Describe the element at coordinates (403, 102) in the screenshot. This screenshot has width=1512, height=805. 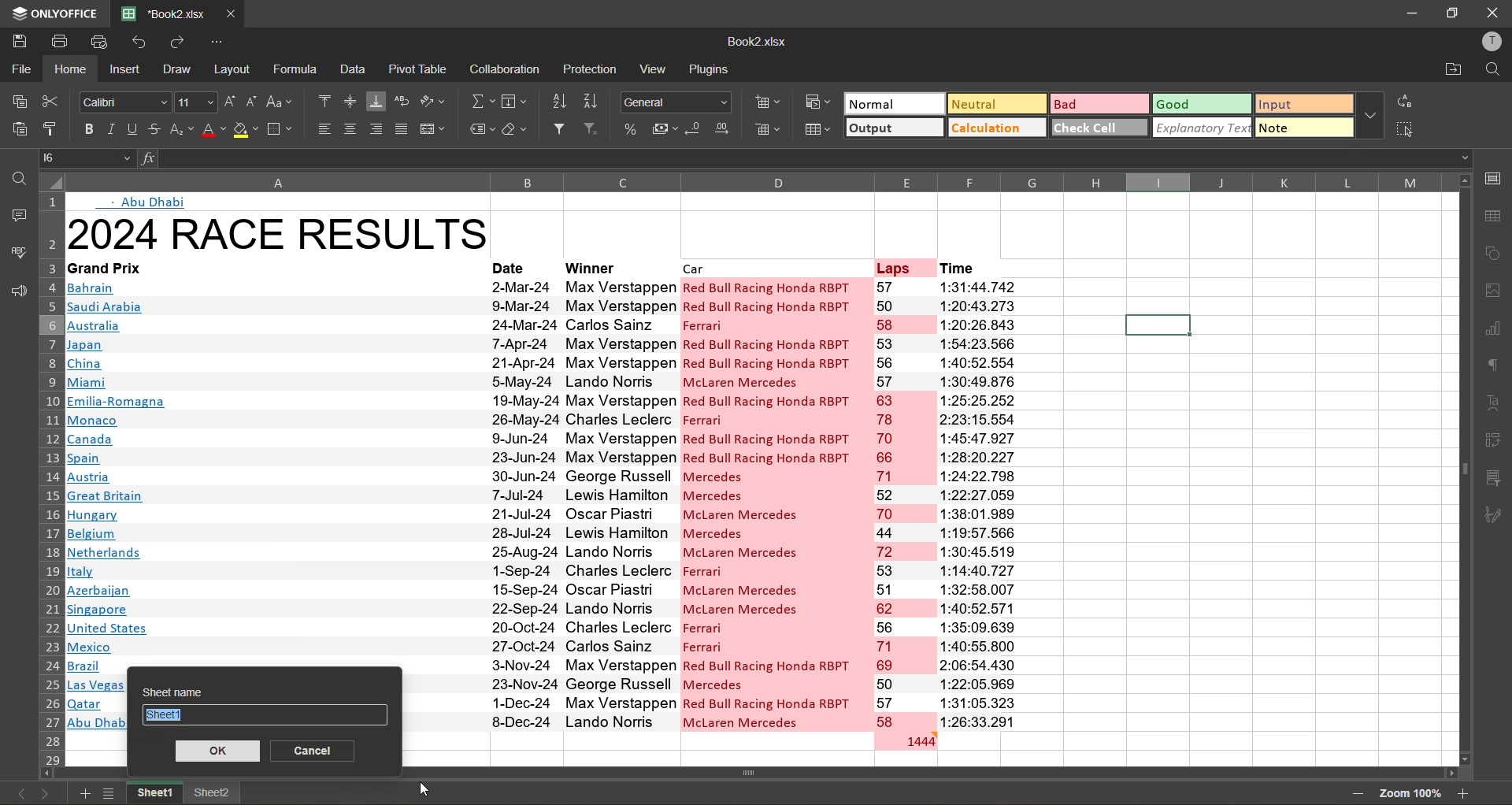
I see `wrap text` at that location.